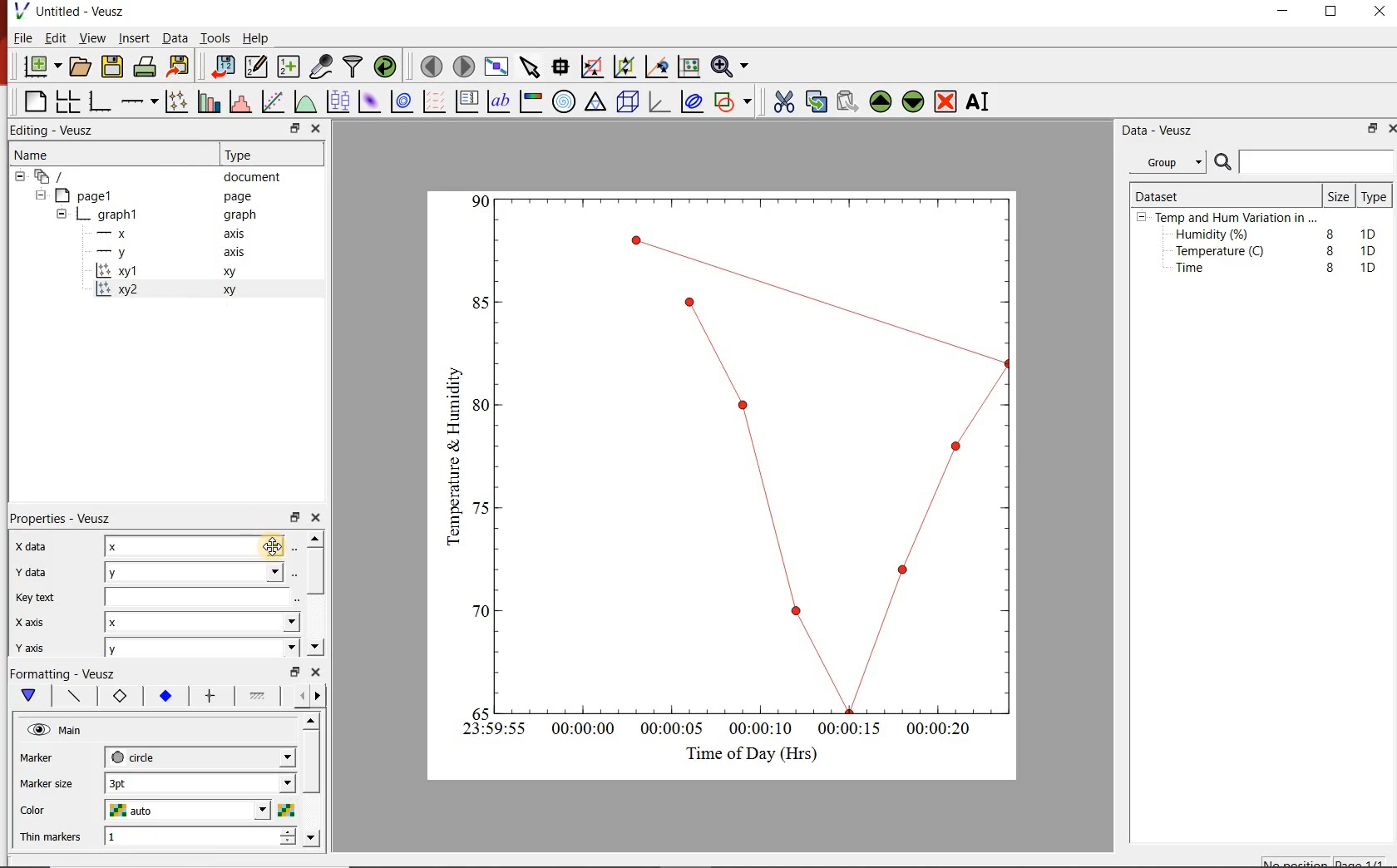 The height and width of the screenshot is (868, 1397). Describe the element at coordinates (317, 128) in the screenshot. I see `close` at that location.